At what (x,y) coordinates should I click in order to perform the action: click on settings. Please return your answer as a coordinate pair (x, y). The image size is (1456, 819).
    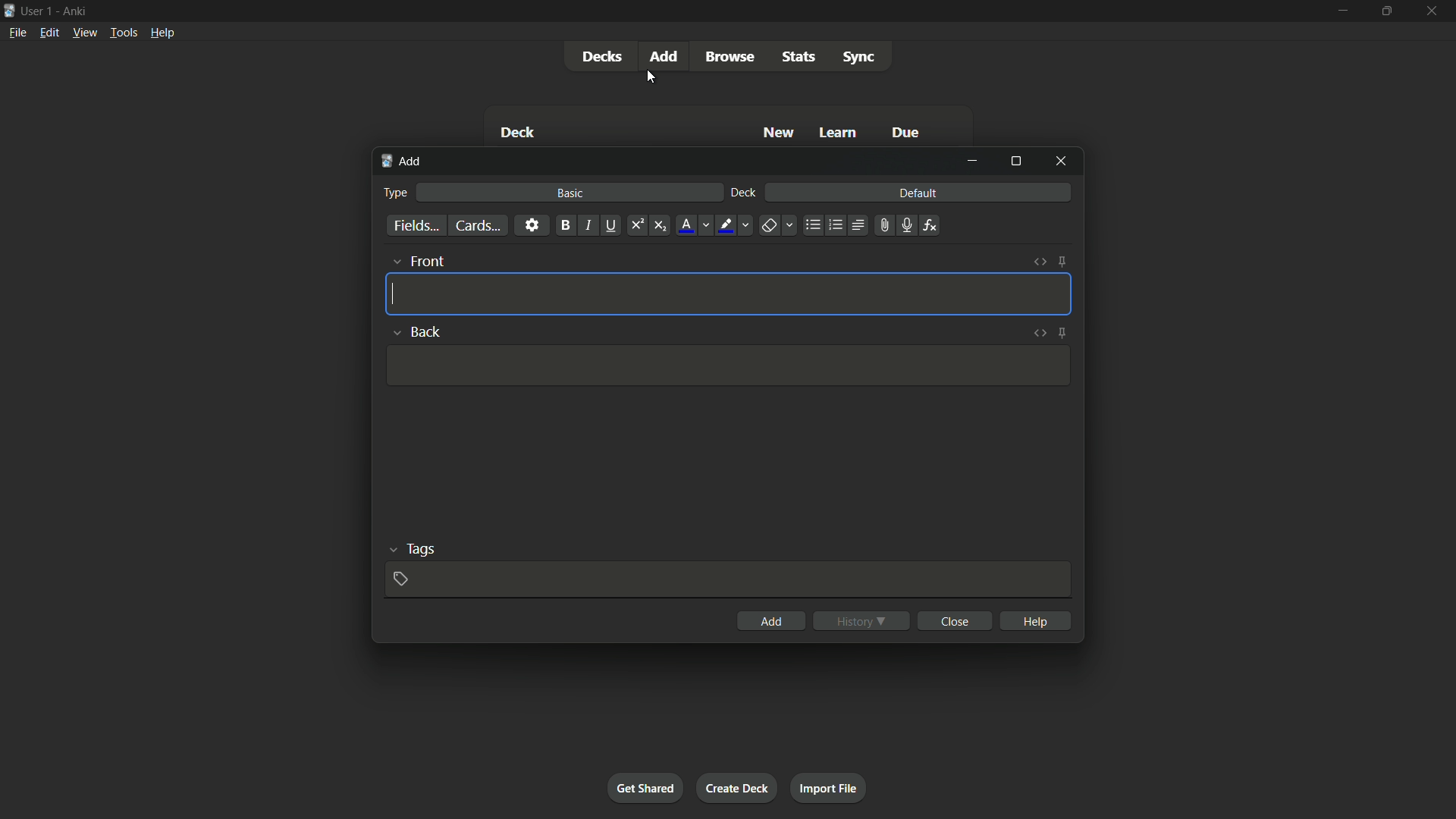
    Looking at the image, I should click on (532, 224).